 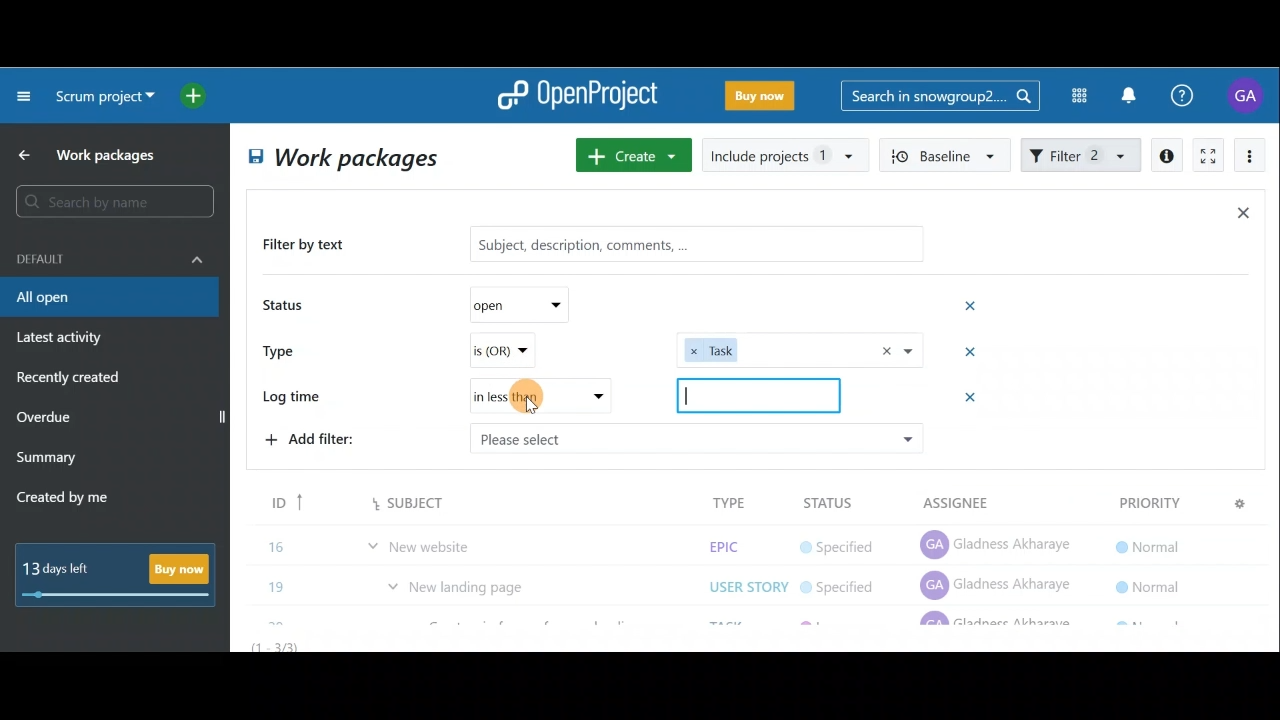 I want to click on remove, so click(x=973, y=400).